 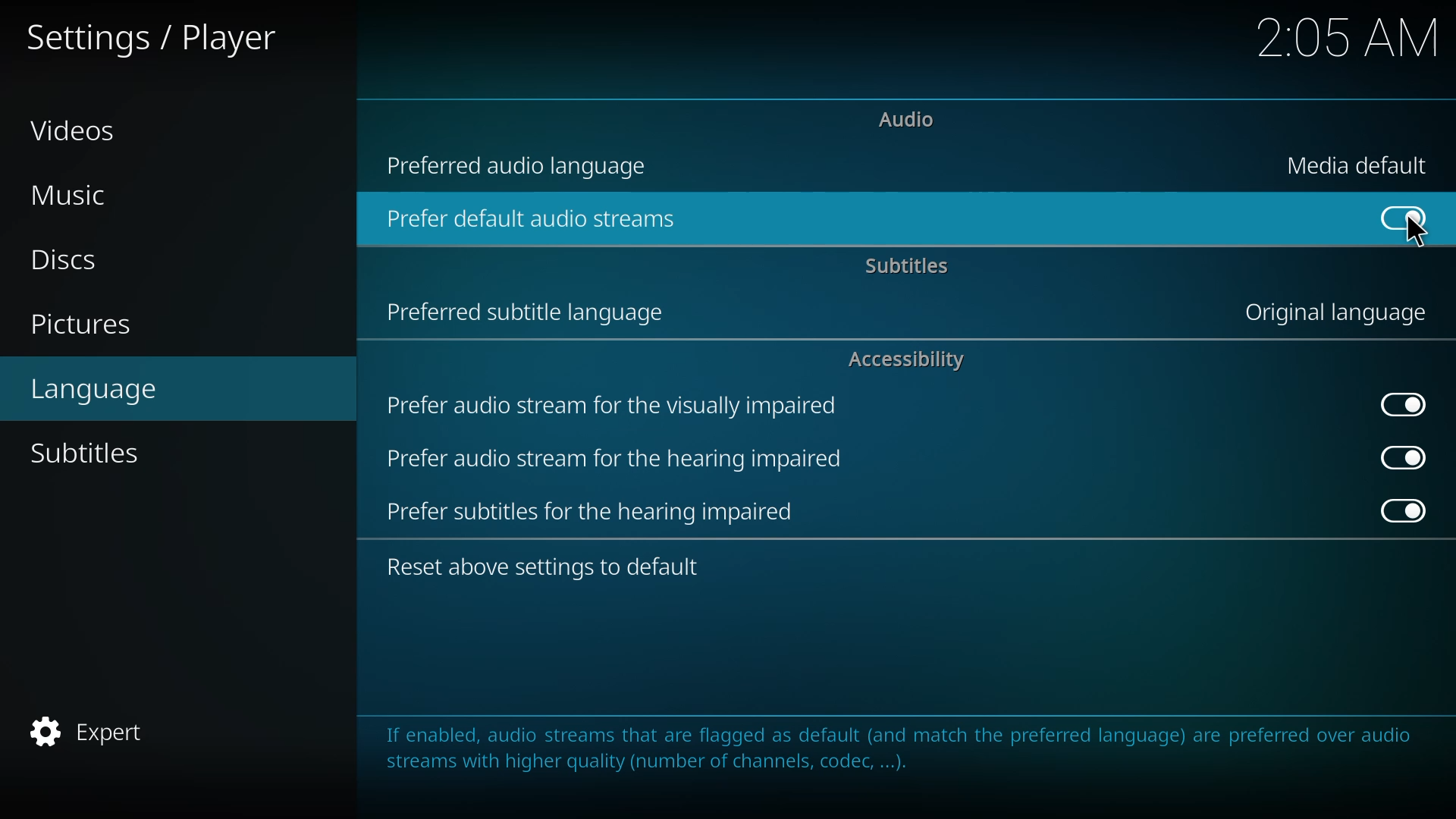 I want to click on videos, so click(x=79, y=129).